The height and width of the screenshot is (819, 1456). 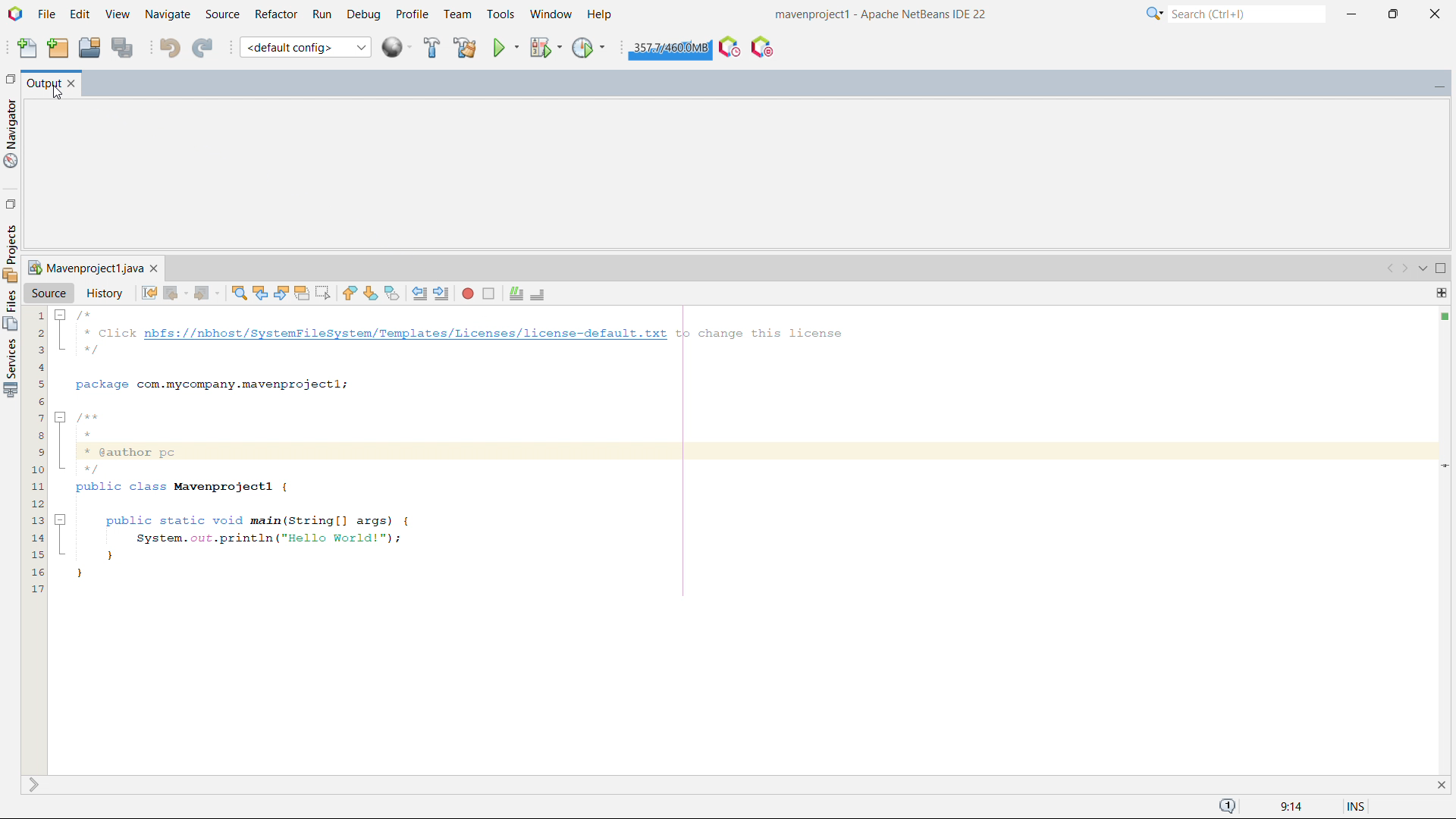 I want to click on maximize, so click(x=1392, y=14).